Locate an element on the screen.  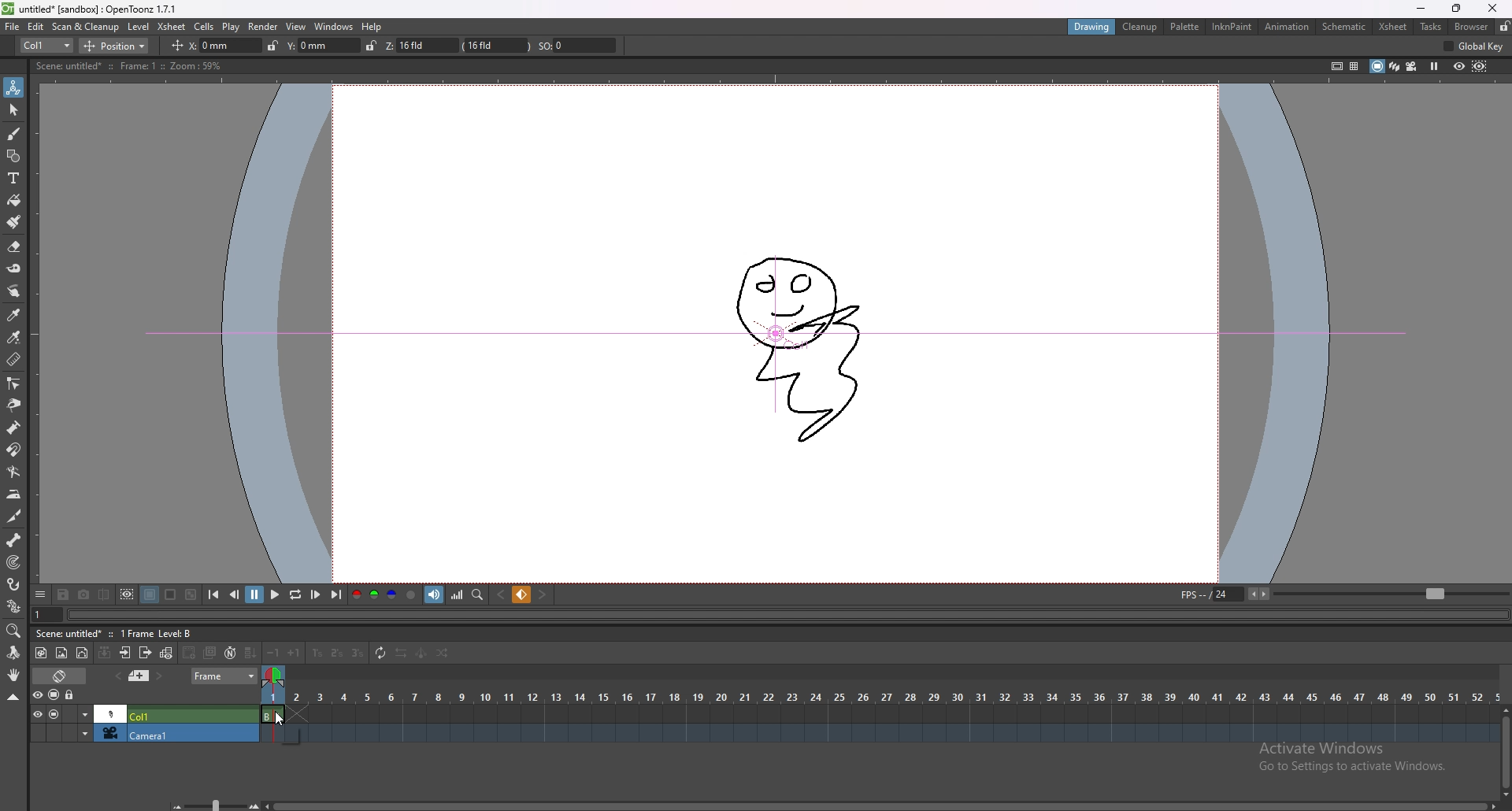
description is located at coordinates (117, 632).